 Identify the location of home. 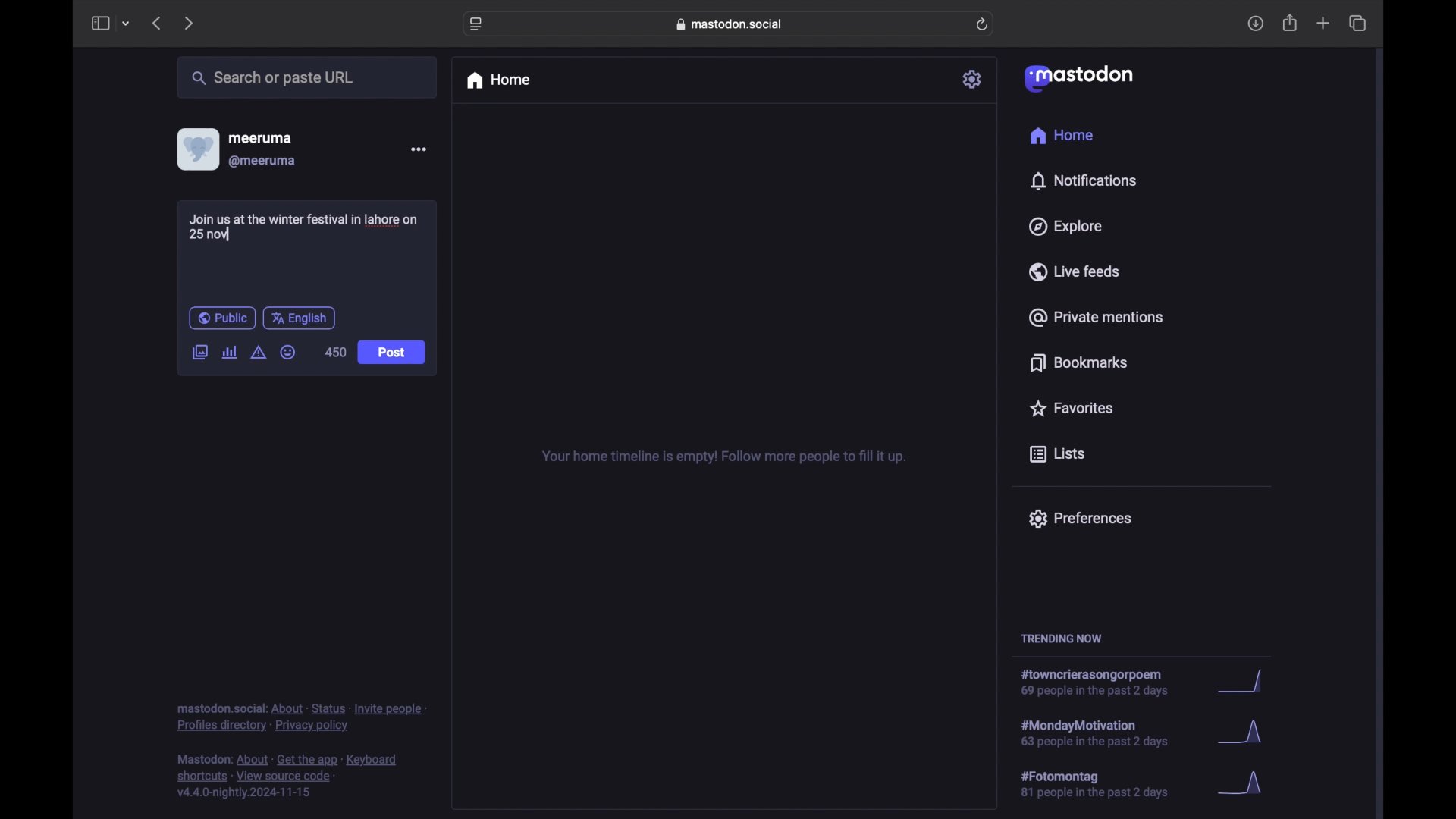
(1061, 136).